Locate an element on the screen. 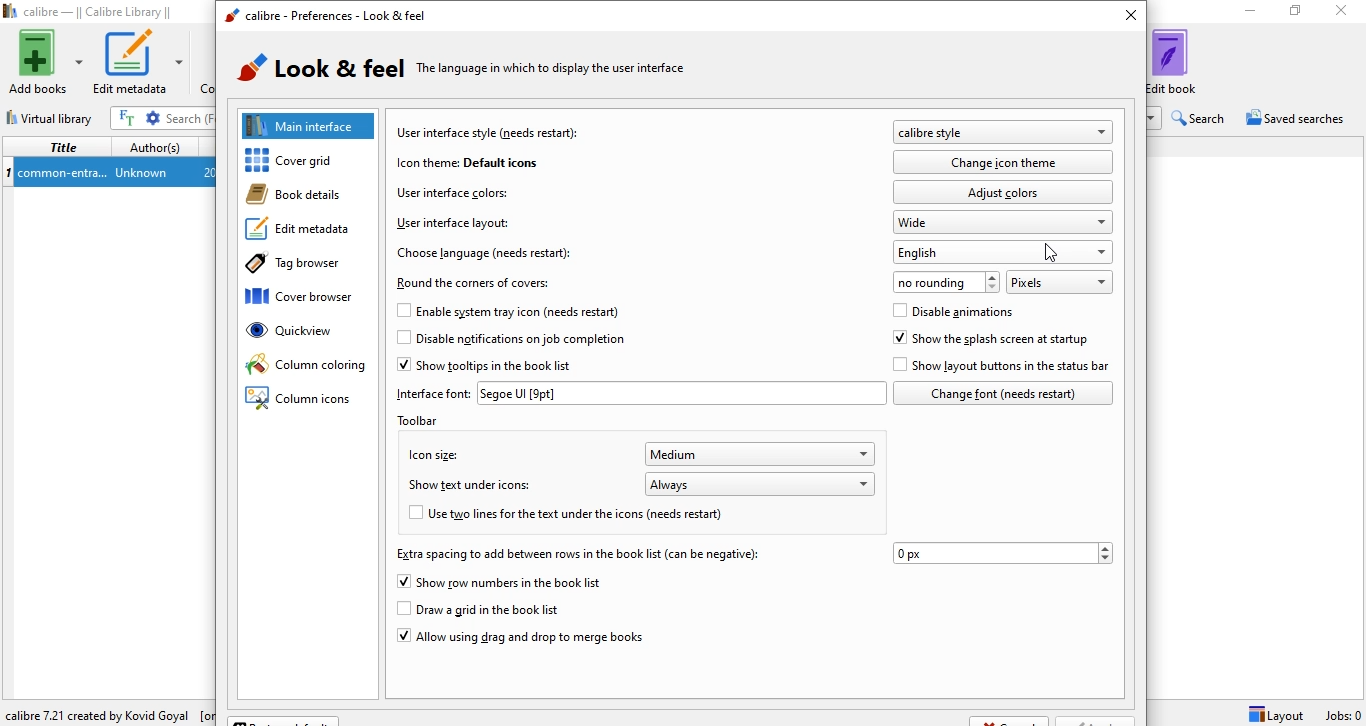  Add books is located at coordinates (44, 62).